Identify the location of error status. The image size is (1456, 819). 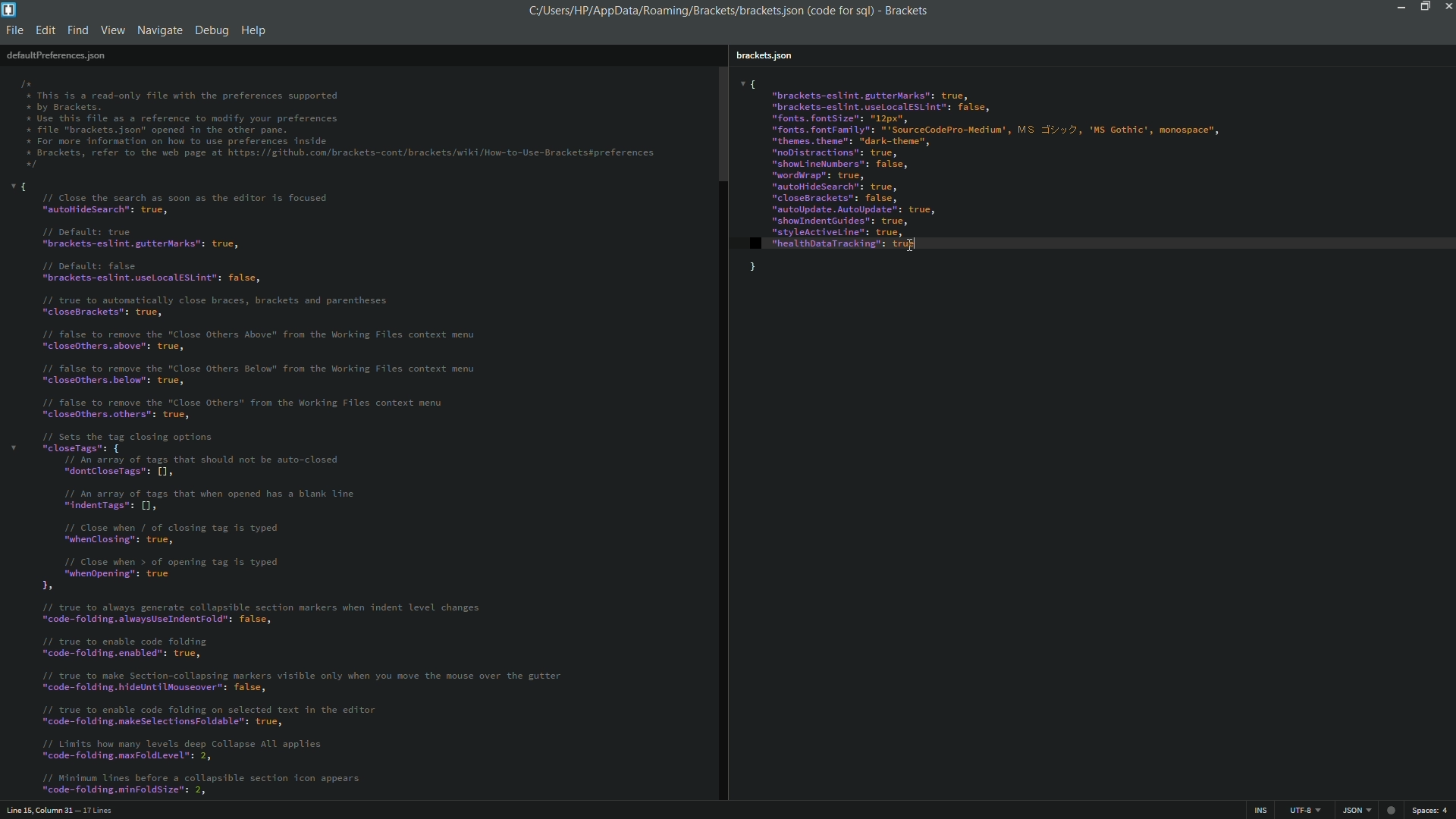
(1390, 810).